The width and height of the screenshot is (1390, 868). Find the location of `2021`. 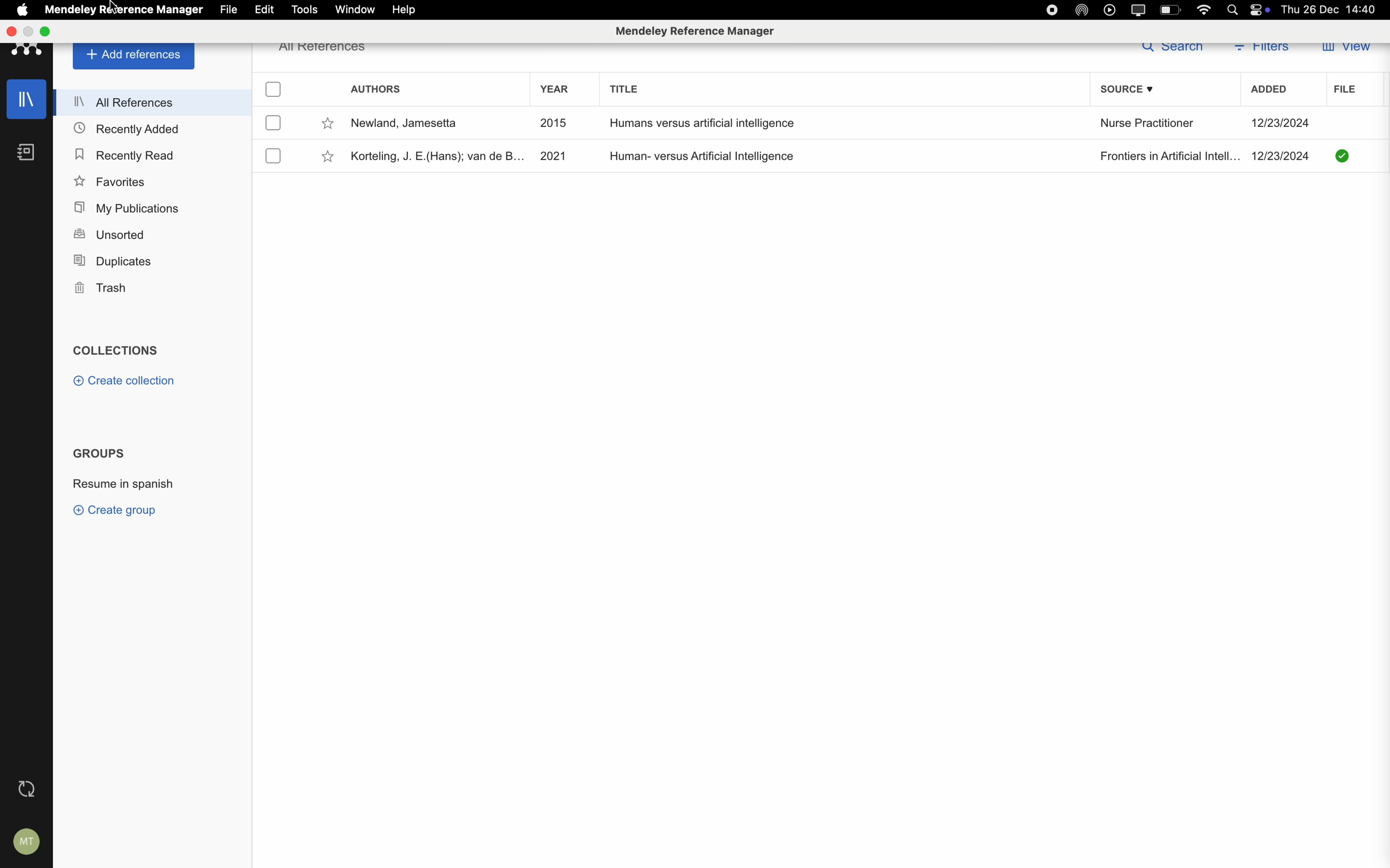

2021 is located at coordinates (553, 154).